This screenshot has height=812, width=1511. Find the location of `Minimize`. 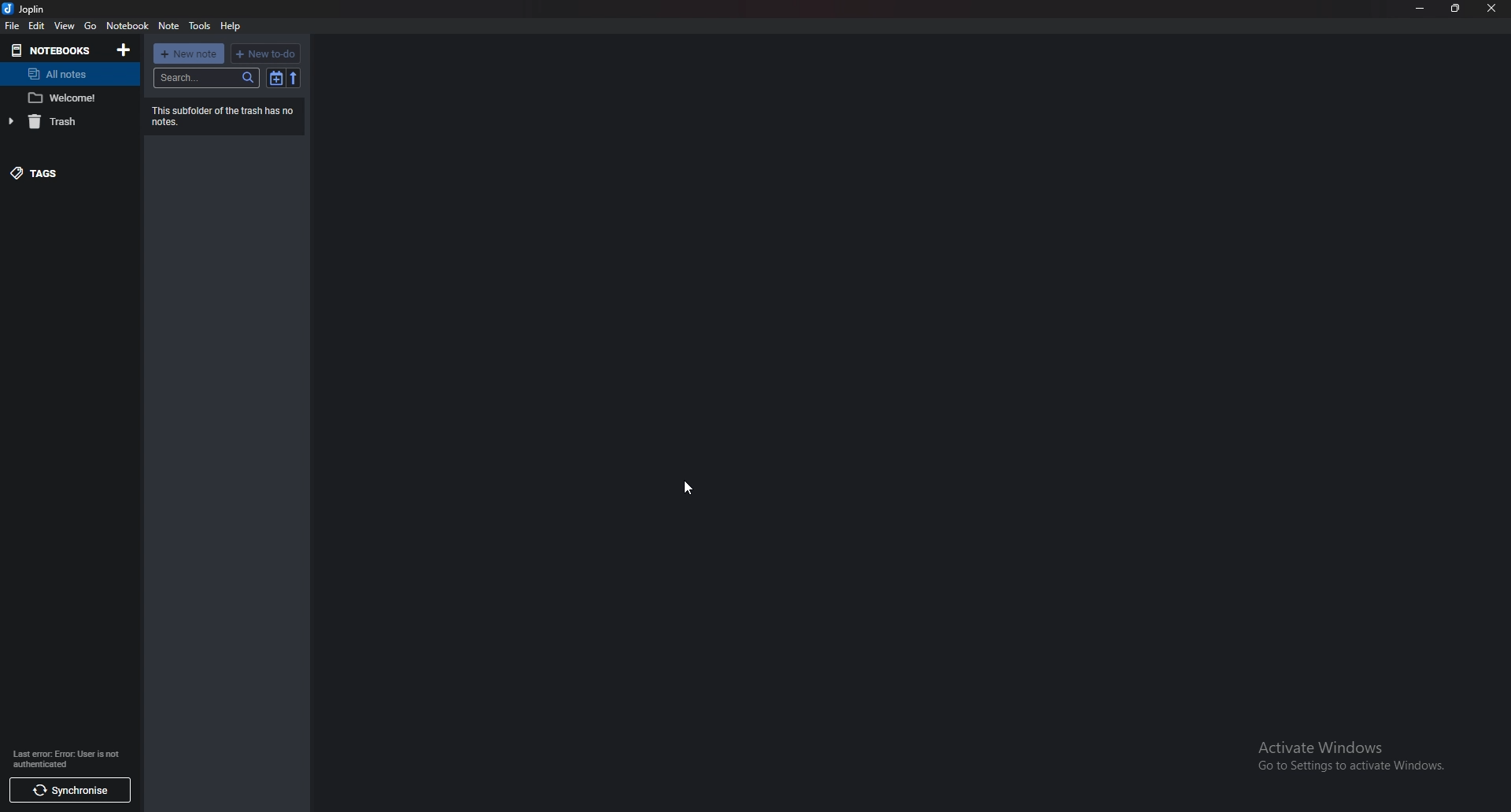

Minimize is located at coordinates (1420, 8).